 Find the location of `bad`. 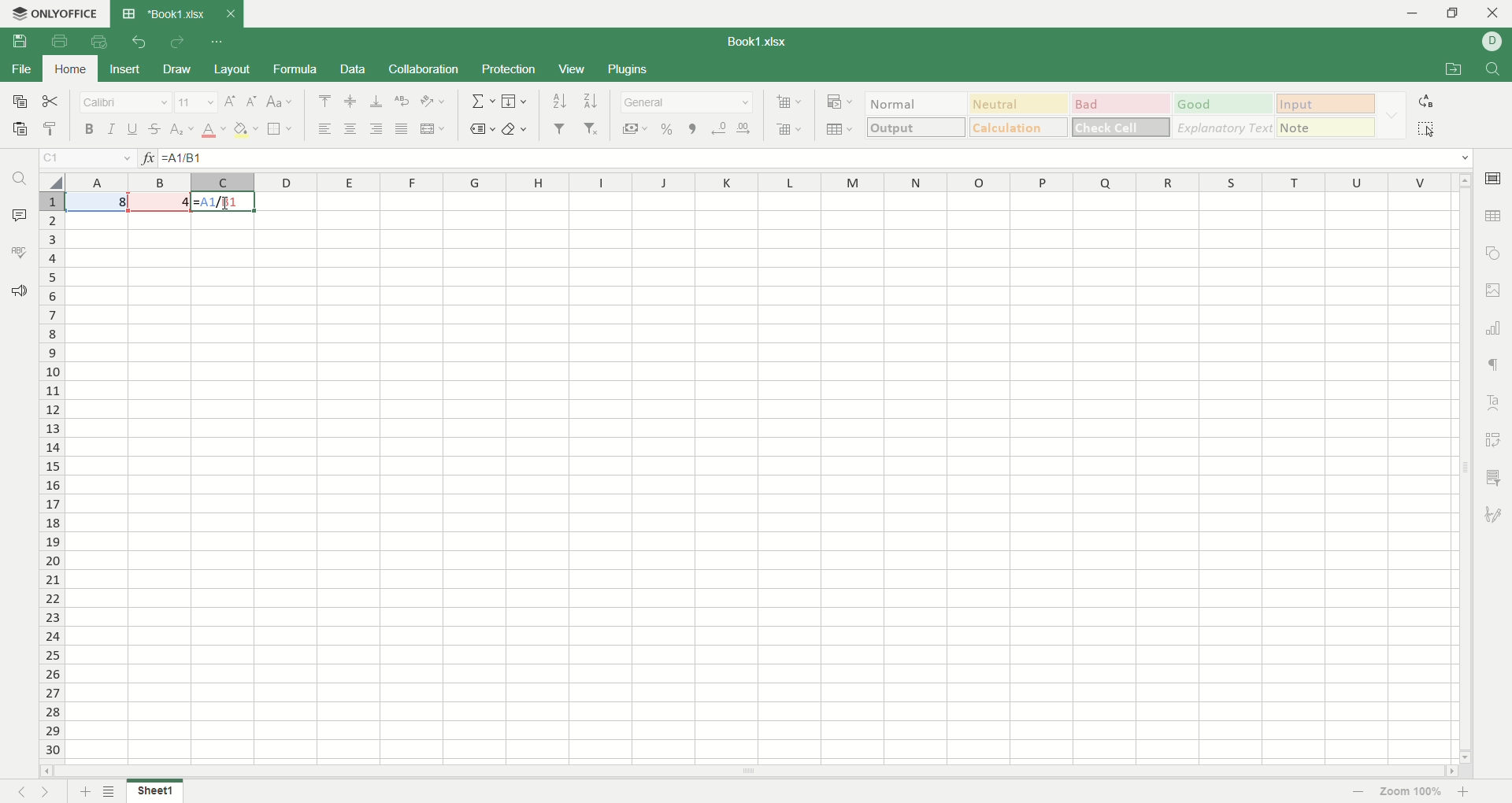

bad is located at coordinates (1120, 102).